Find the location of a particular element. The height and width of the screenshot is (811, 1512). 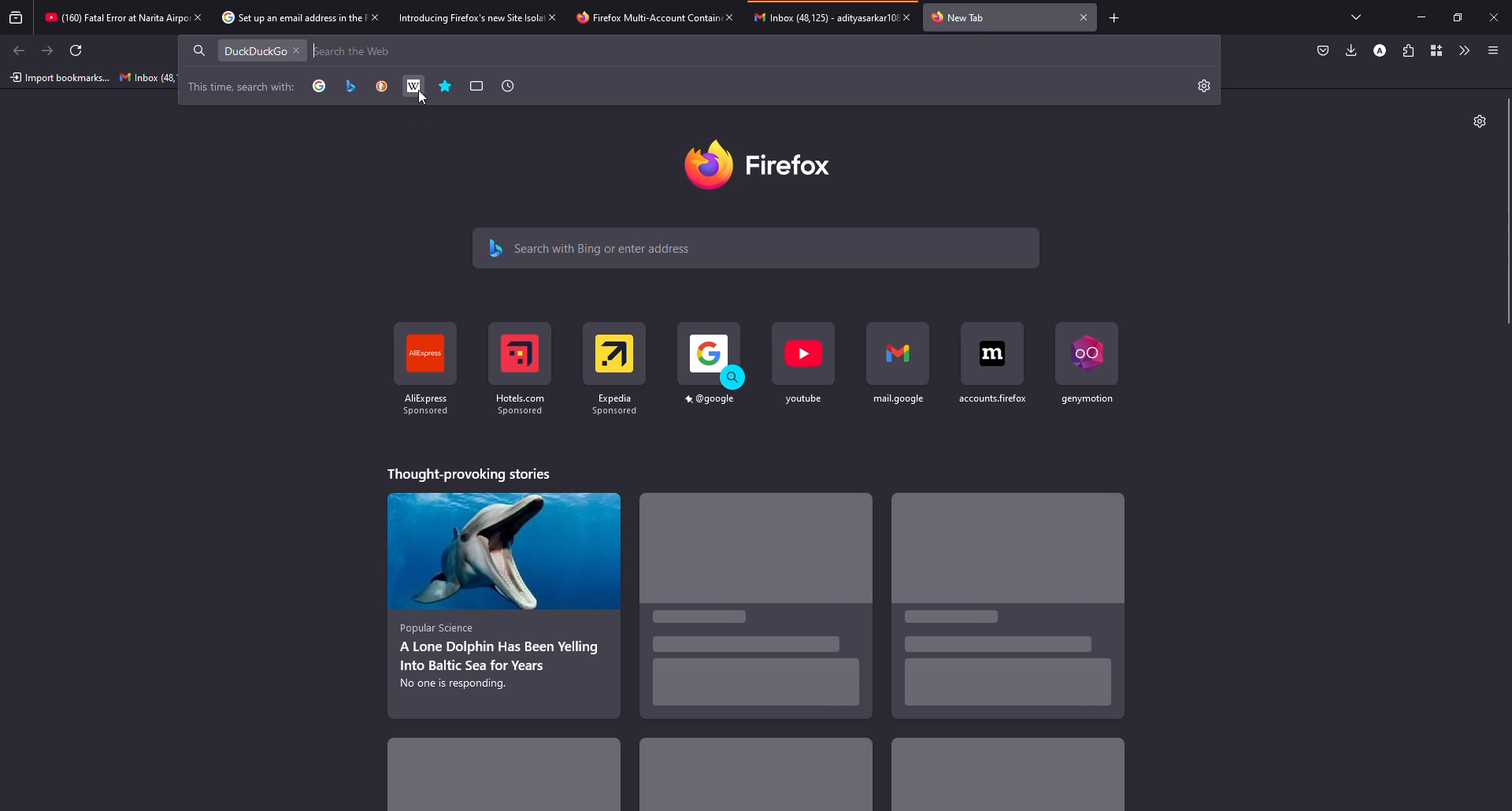

stories is located at coordinates (510, 780).